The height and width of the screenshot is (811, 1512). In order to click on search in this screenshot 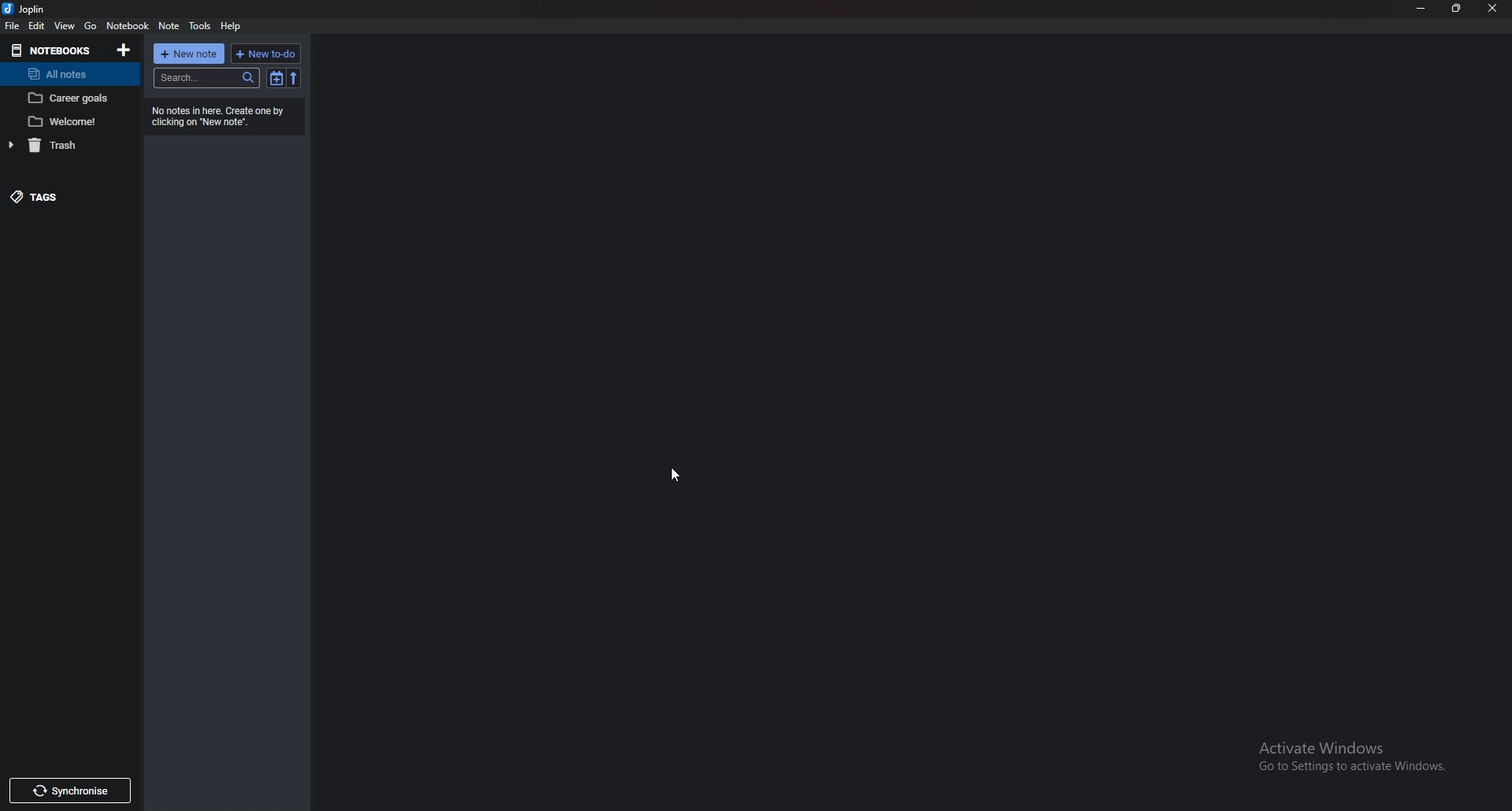, I will do `click(206, 77)`.